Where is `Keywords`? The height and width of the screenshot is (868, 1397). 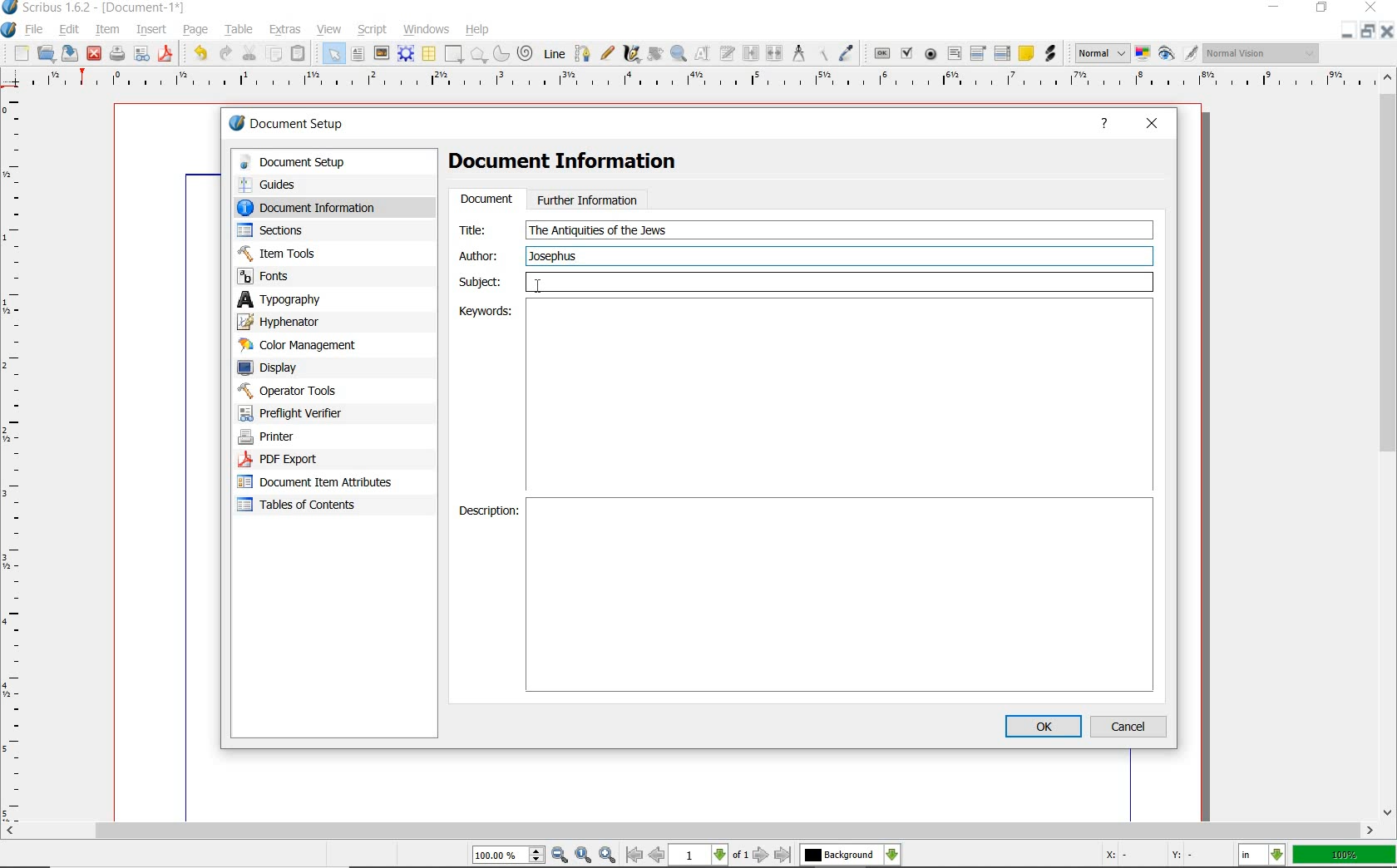
Keywords is located at coordinates (482, 312).